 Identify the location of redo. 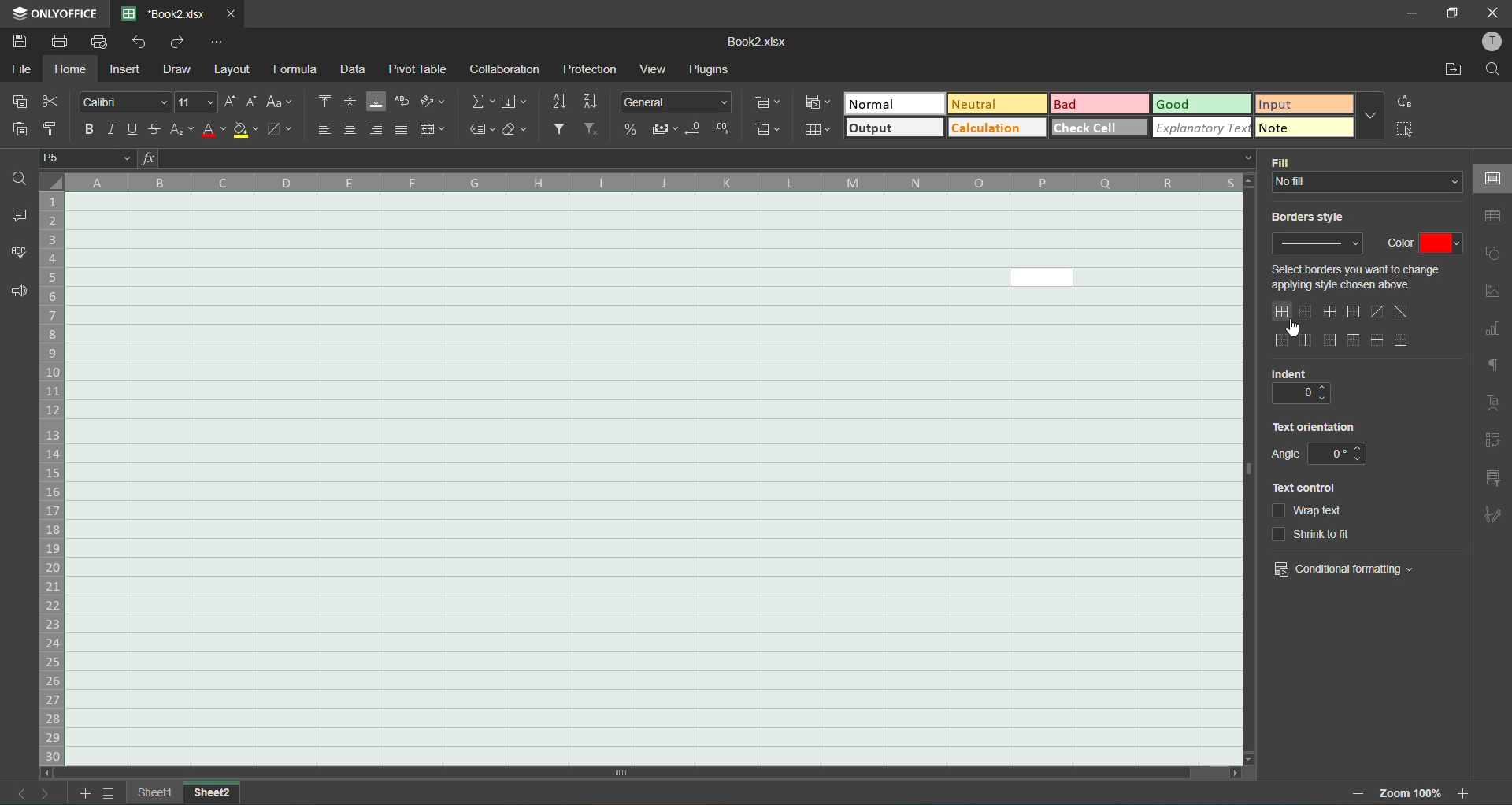
(180, 44).